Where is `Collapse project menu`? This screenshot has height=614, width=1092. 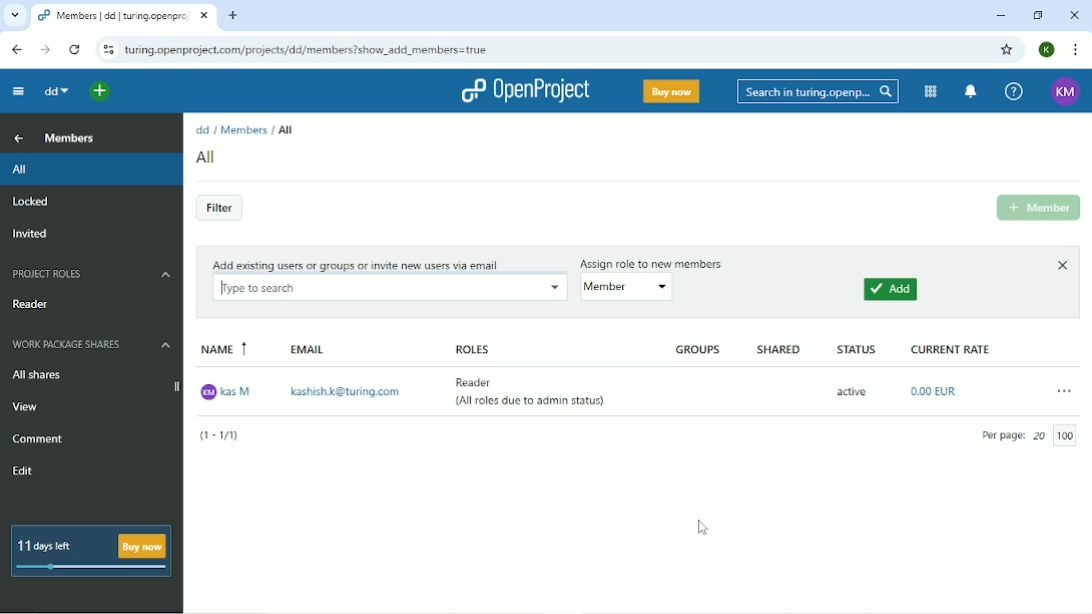
Collapse project menu is located at coordinates (21, 91).